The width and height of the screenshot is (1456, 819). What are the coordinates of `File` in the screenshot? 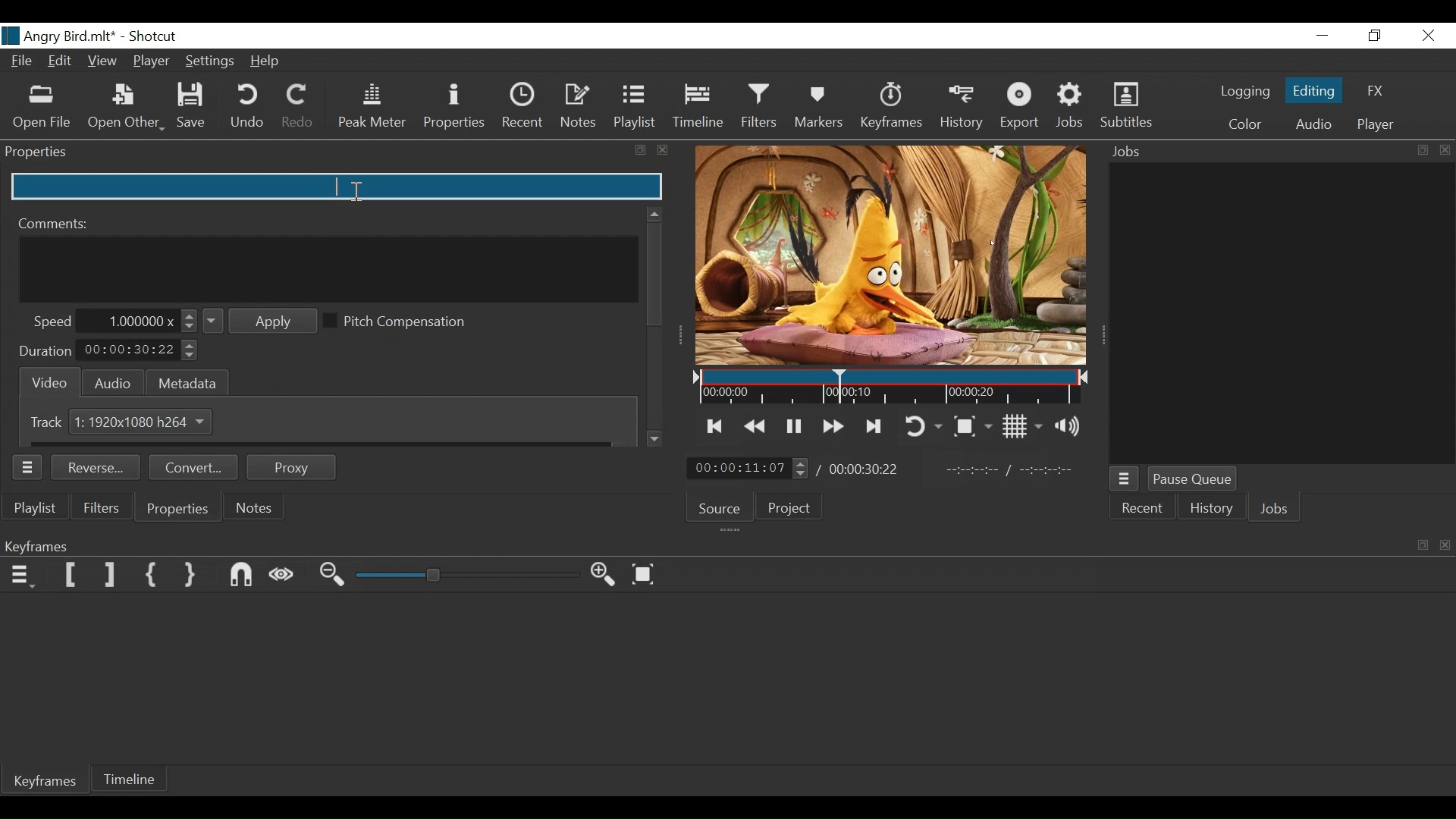 It's located at (22, 62).